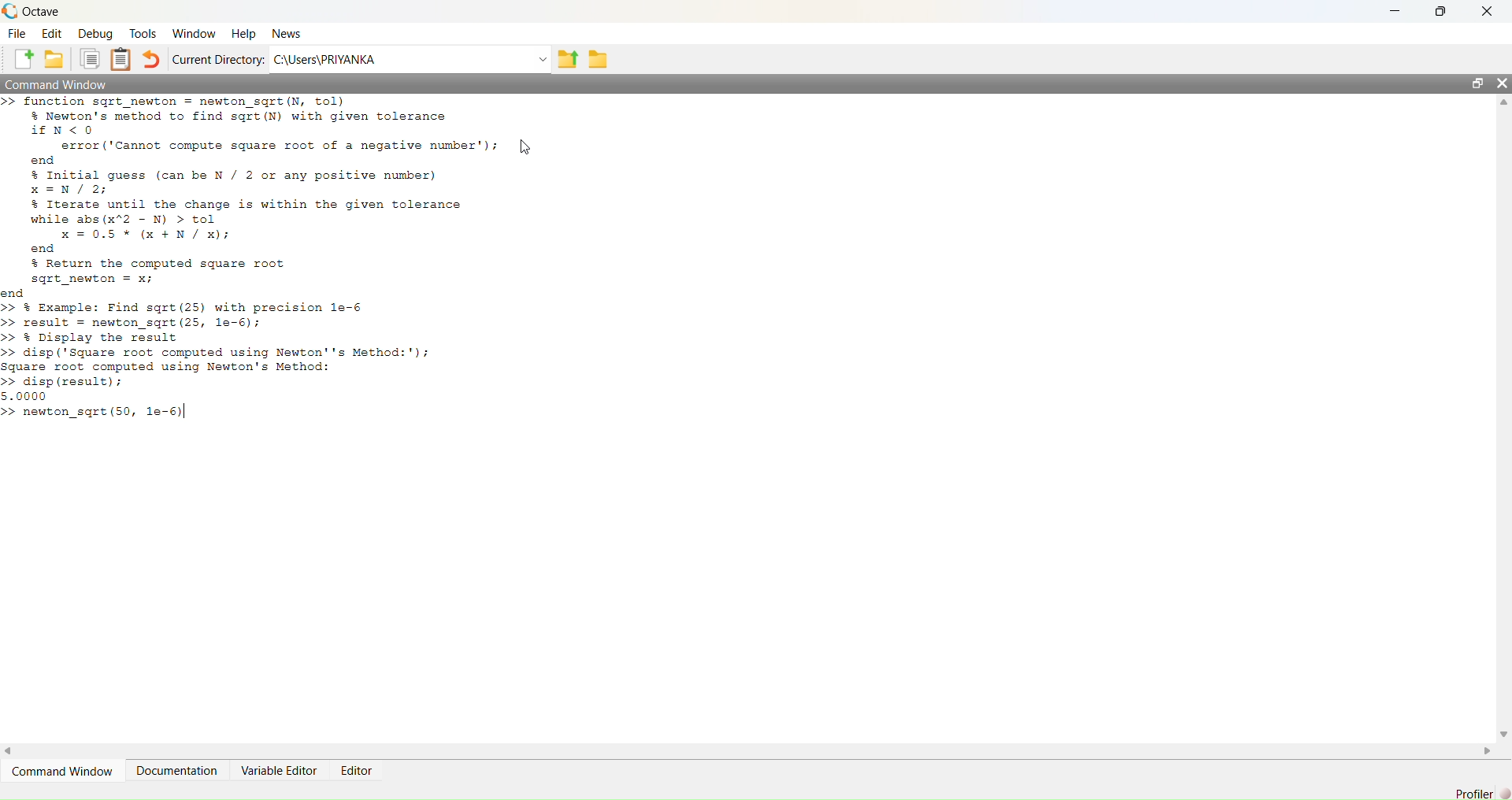 This screenshot has width=1512, height=800. What do you see at coordinates (180, 770) in the screenshot?
I see `Documentation` at bounding box center [180, 770].